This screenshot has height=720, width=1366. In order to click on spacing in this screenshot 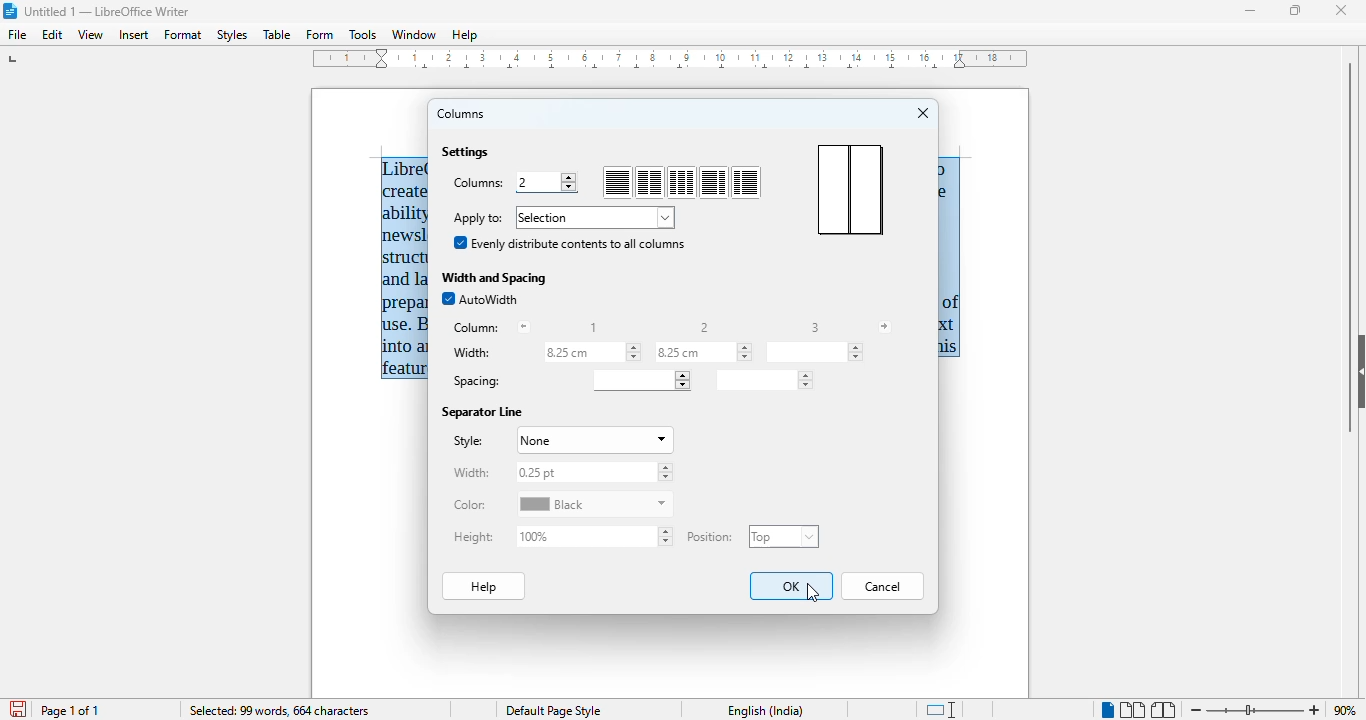, I will do `click(640, 380)`.